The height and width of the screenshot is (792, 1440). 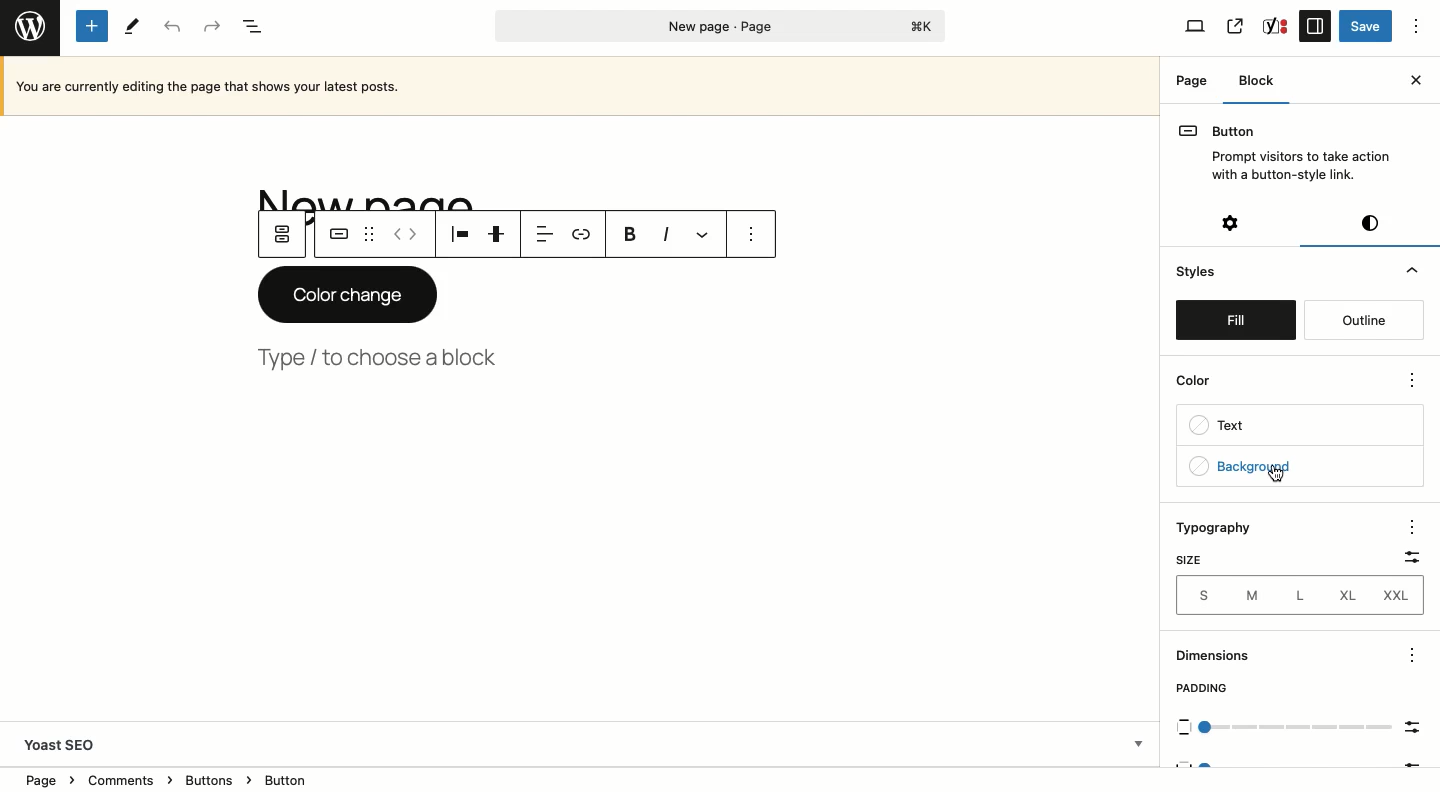 I want to click on Type, choose a block, so click(x=382, y=355).